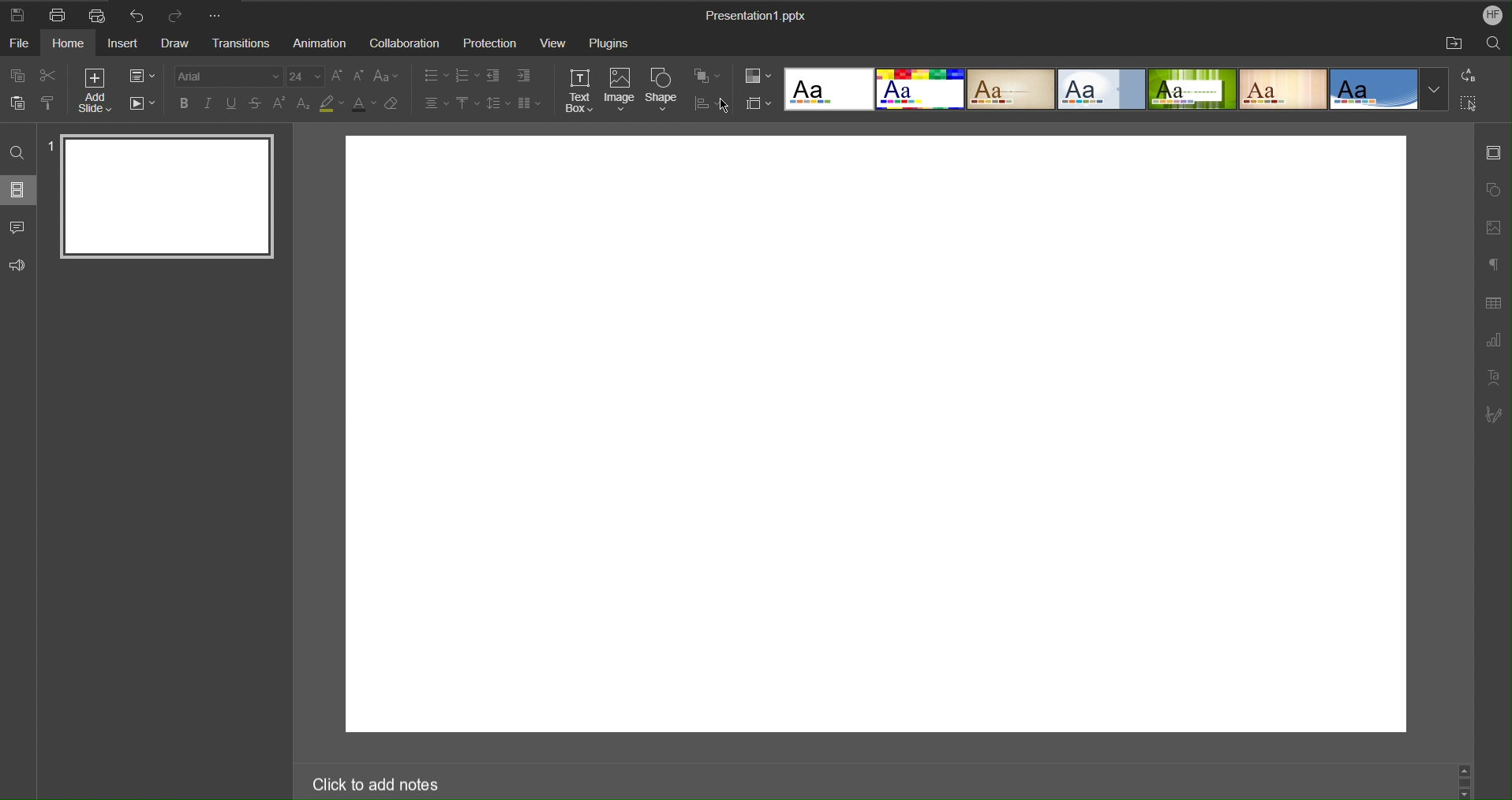 The image size is (1512, 800). I want to click on Playback, so click(142, 104).